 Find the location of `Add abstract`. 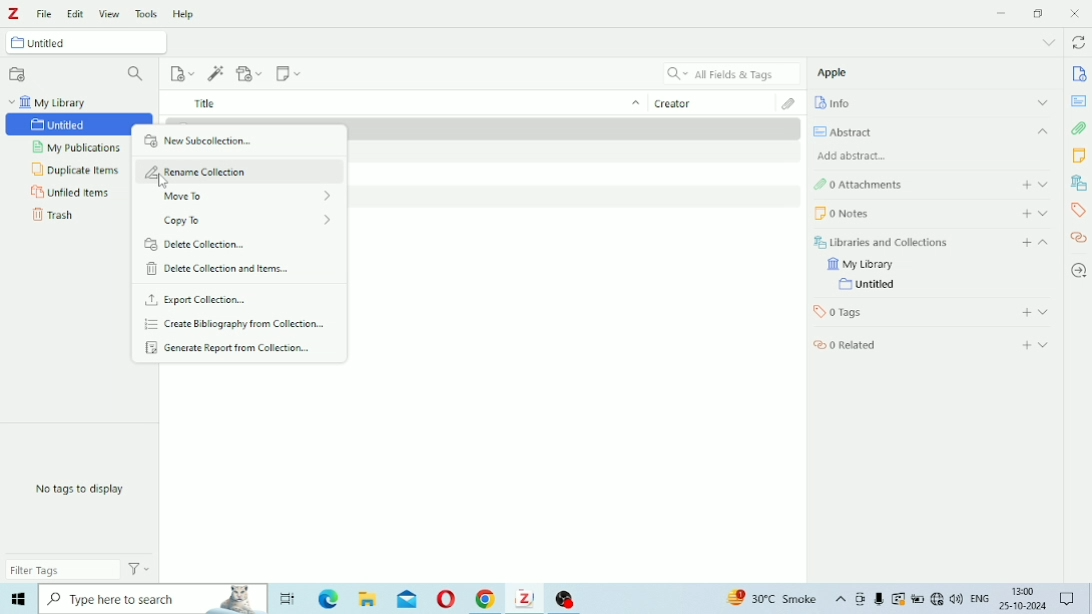

Add abstract is located at coordinates (853, 155).